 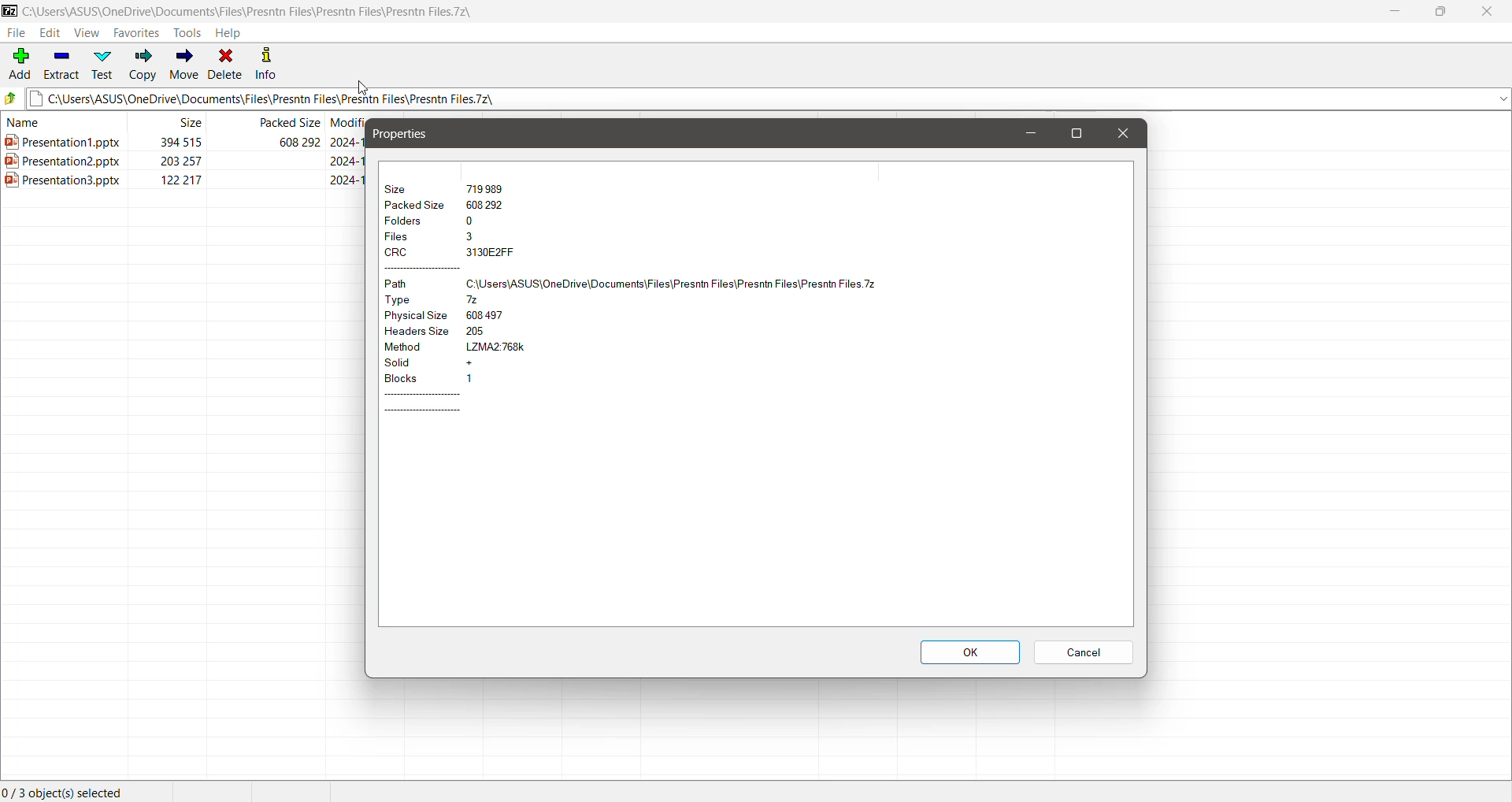 I want to click on Favorites, so click(x=135, y=33).